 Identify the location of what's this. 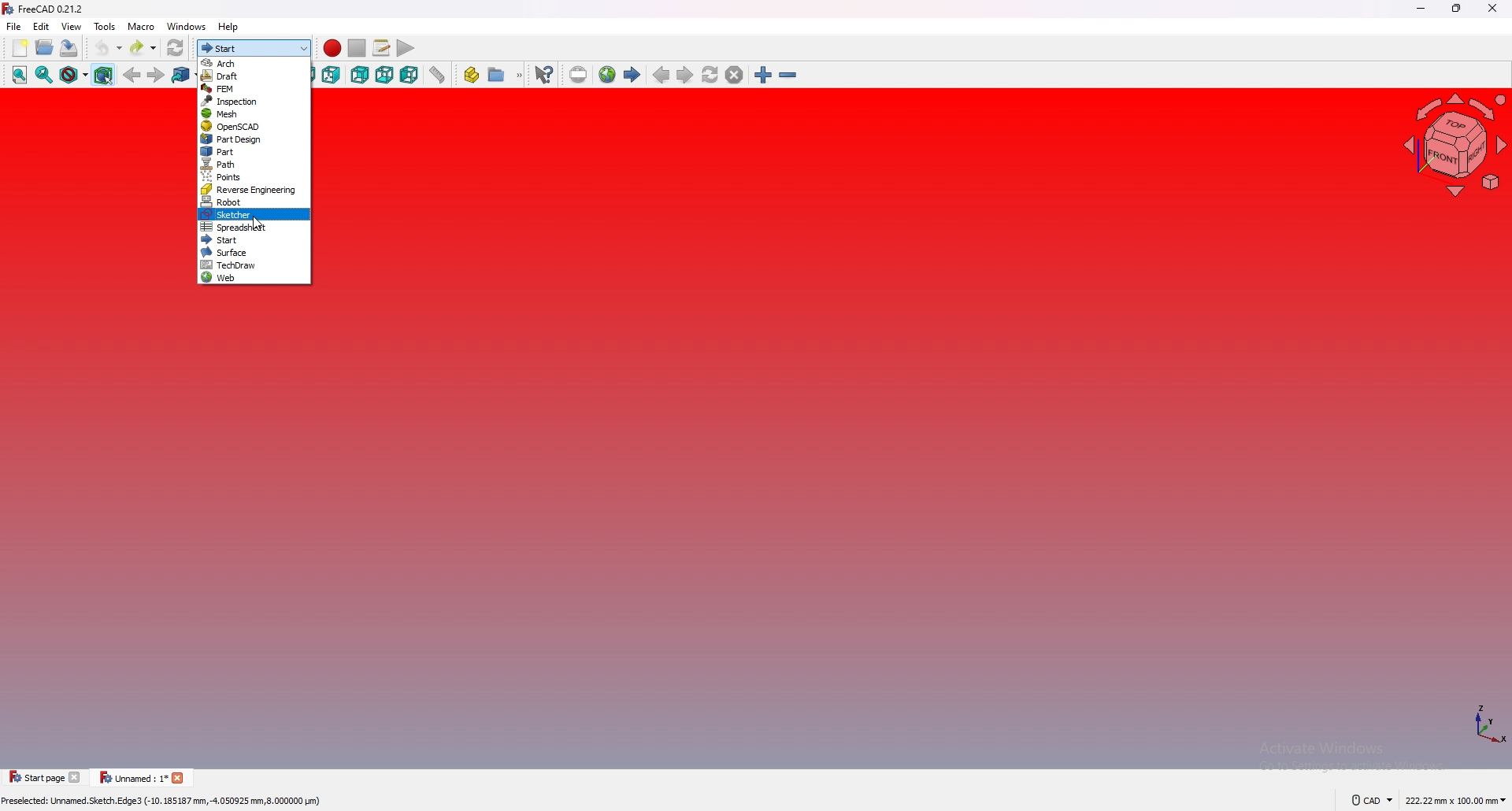
(543, 75).